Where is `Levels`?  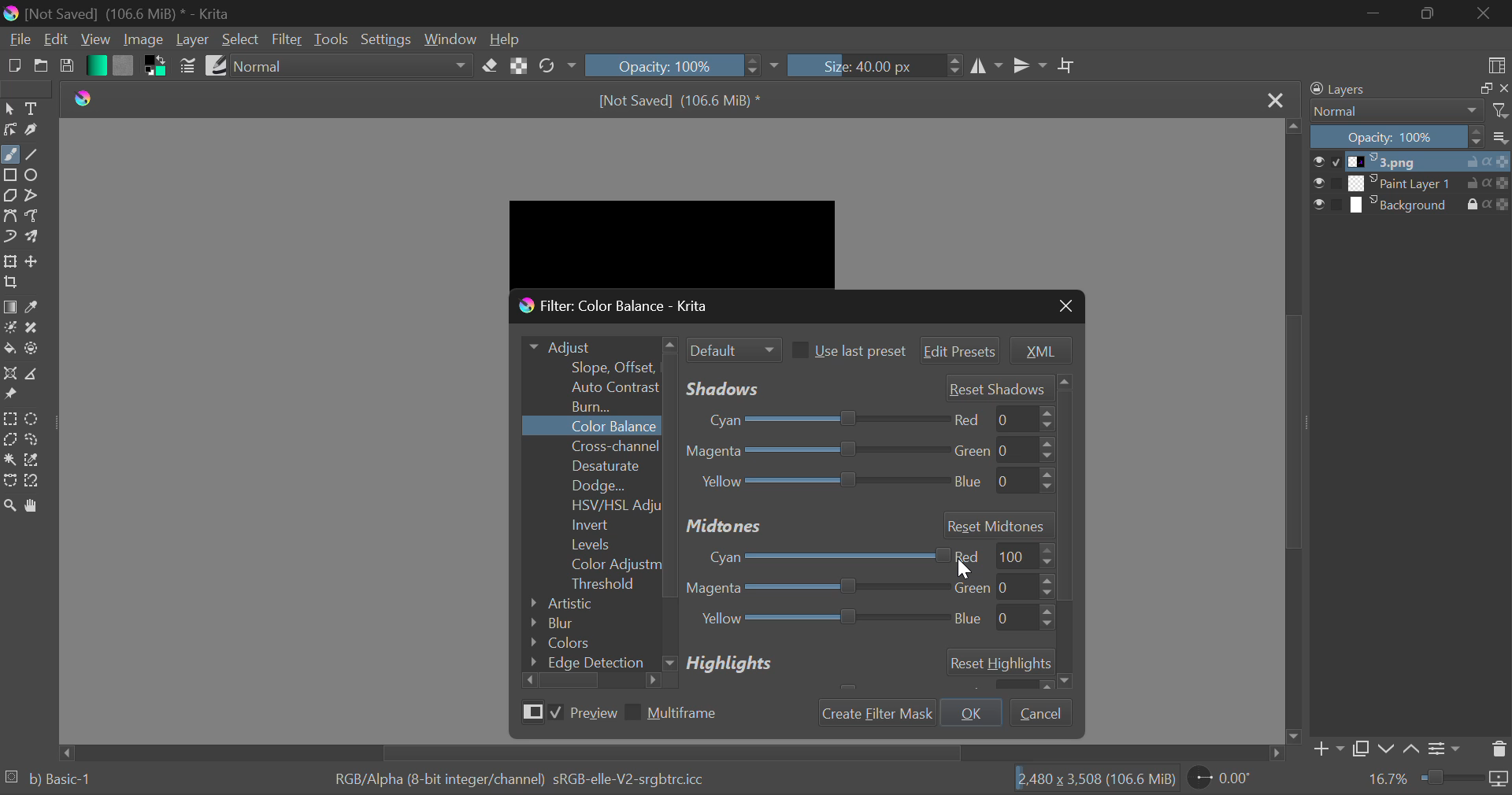
Levels is located at coordinates (592, 545).